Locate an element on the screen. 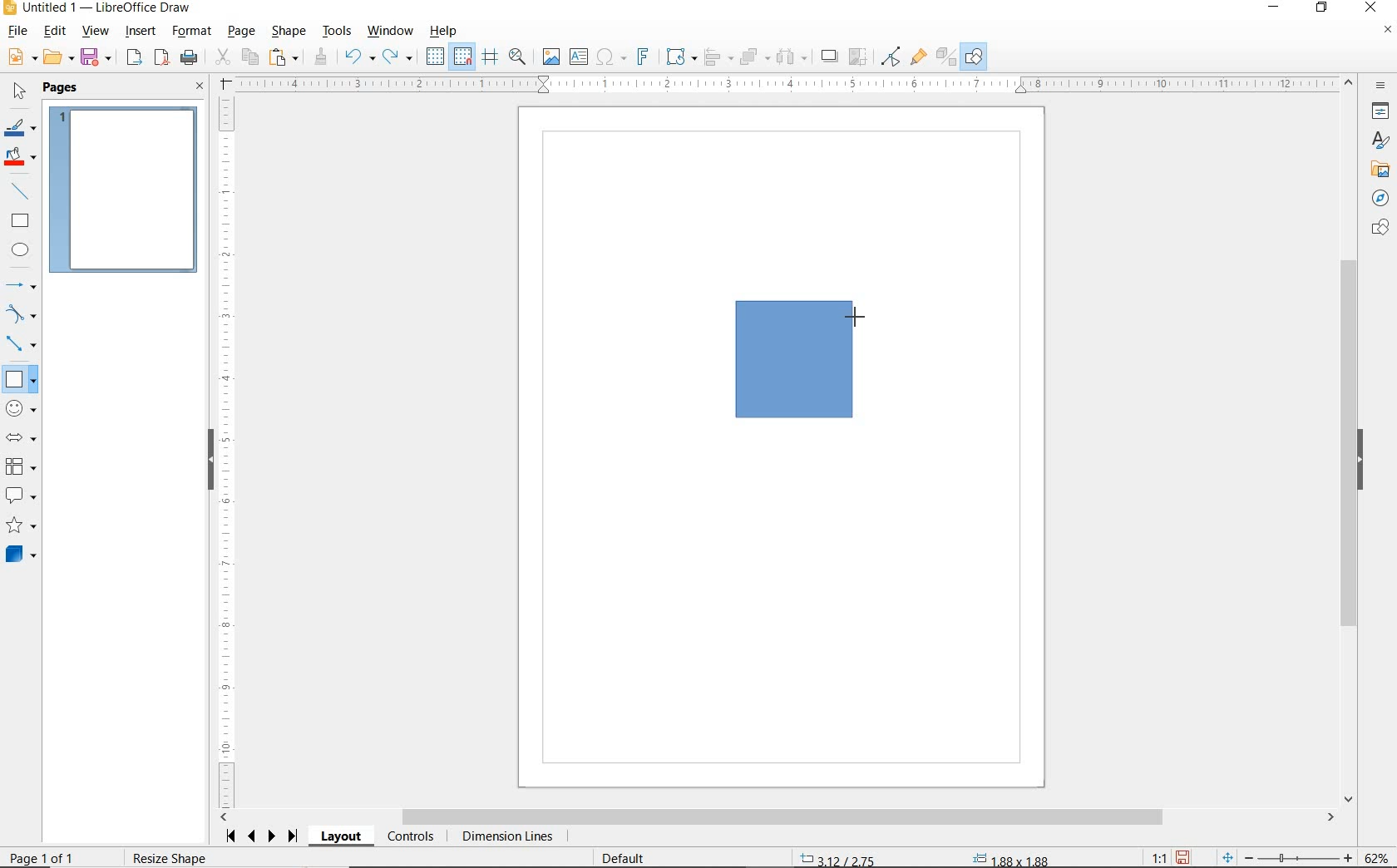  DRAWING SQUARE is located at coordinates (792, 358).